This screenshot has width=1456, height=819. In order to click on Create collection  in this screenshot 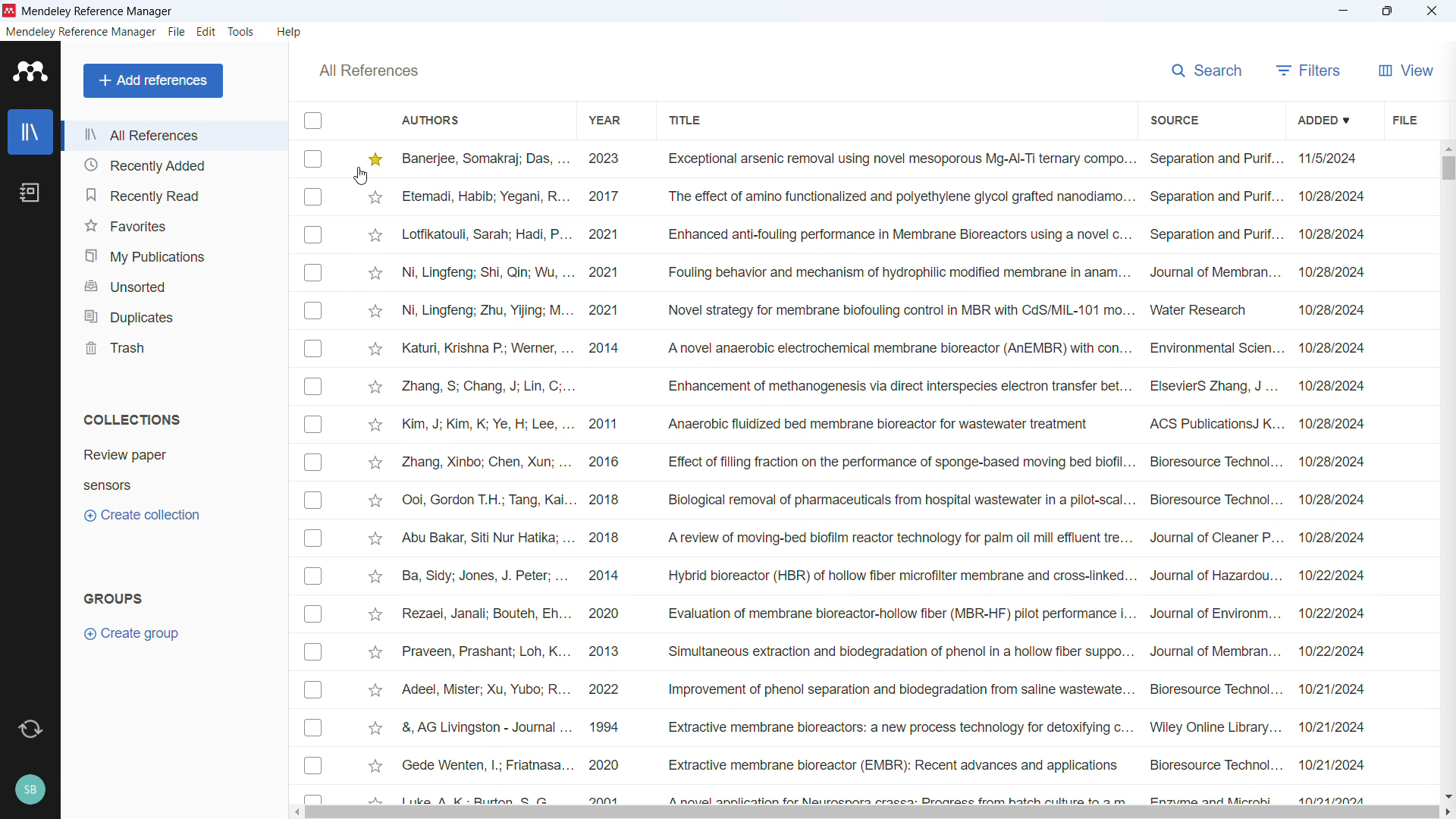, I will do `click(141, 515)`.